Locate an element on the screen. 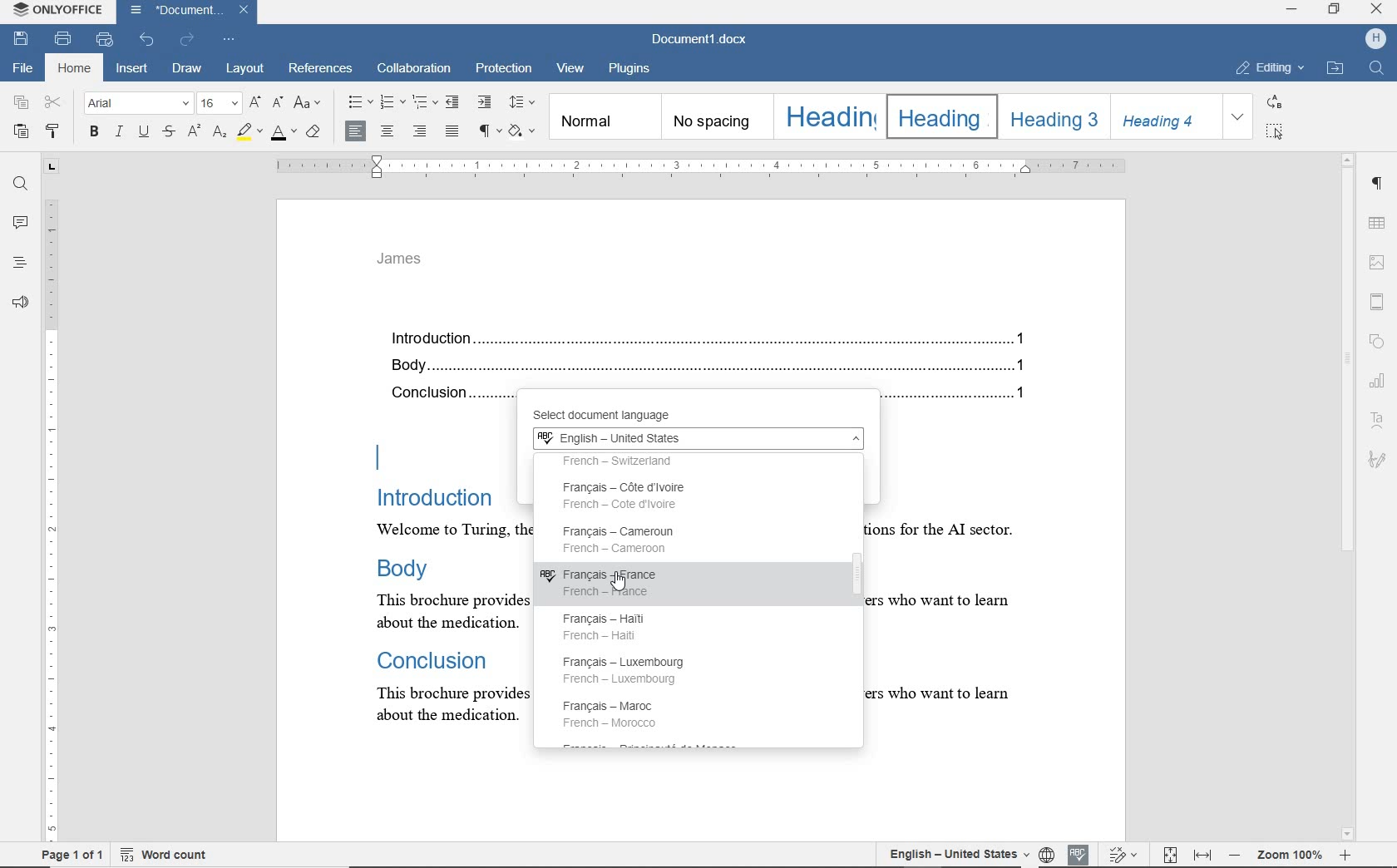 The height and width of the screenshot is (868, 1397). CLOSE is located at coordinates (1375, 9).